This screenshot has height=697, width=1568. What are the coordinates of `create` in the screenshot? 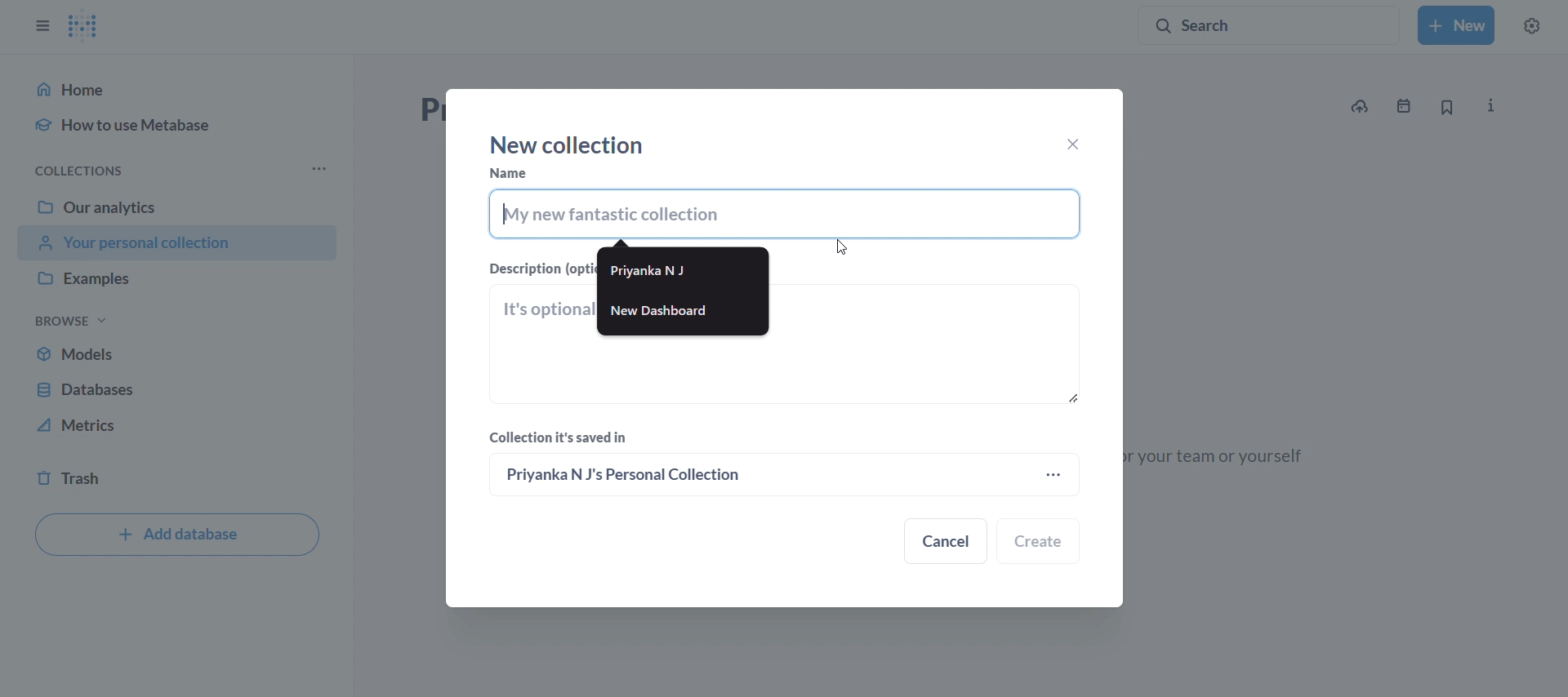 It's located at (1039, 542).